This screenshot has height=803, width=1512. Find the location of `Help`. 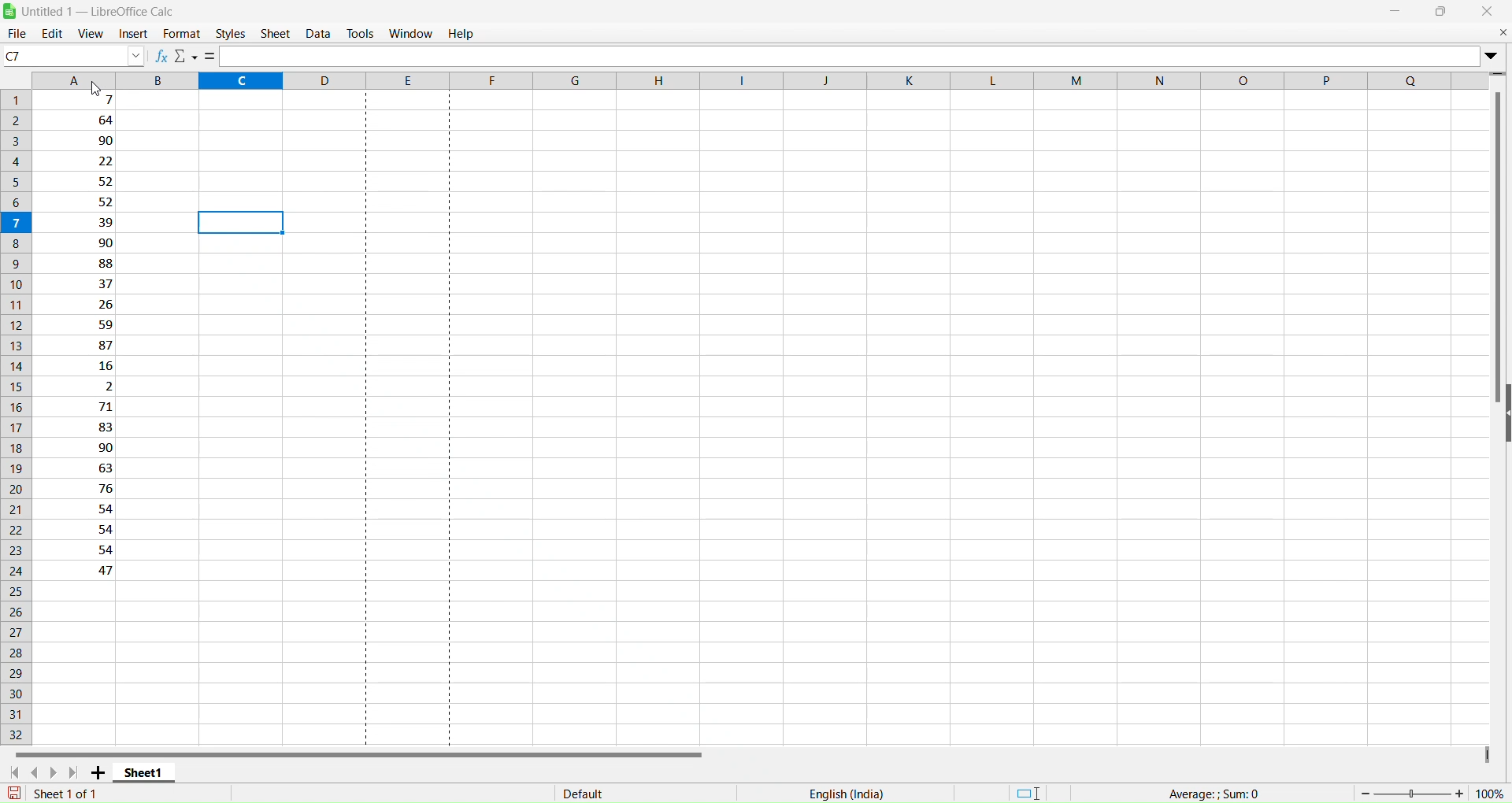

Help is located at coordinates (462, 32).